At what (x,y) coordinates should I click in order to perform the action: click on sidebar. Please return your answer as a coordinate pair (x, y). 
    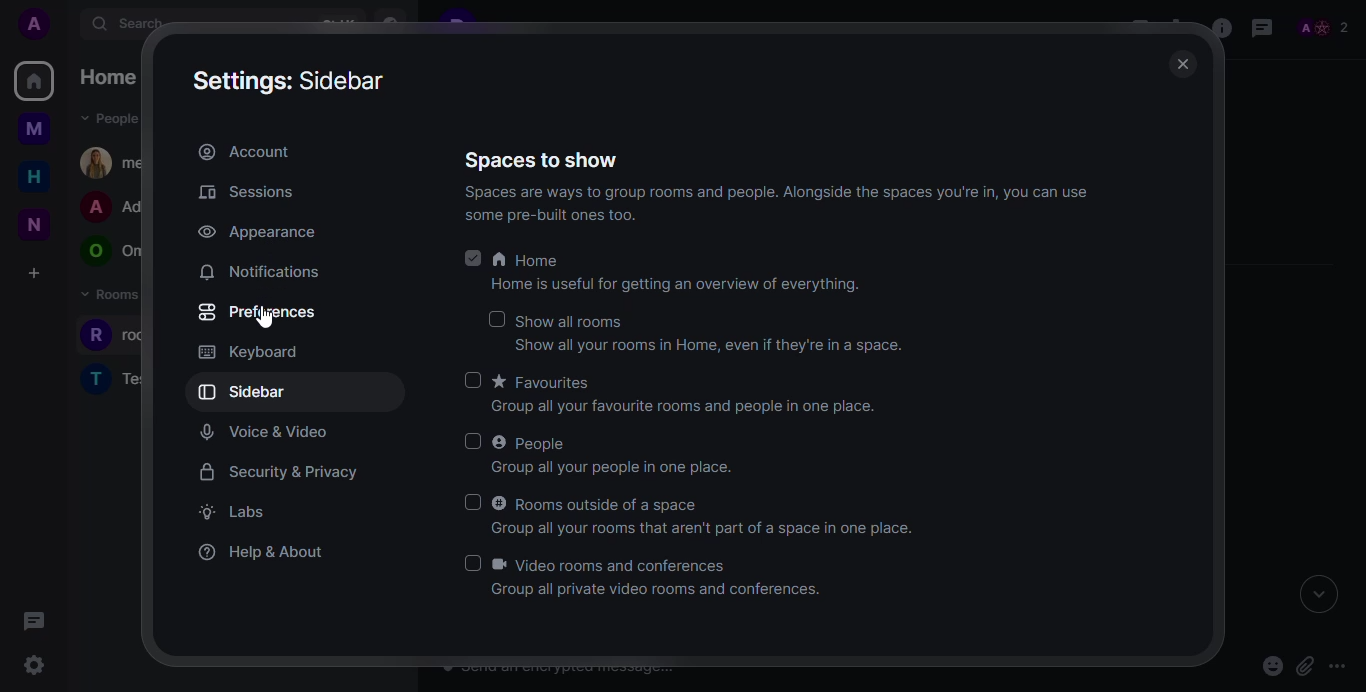
    Looking at the image, I should click on (246, 391).